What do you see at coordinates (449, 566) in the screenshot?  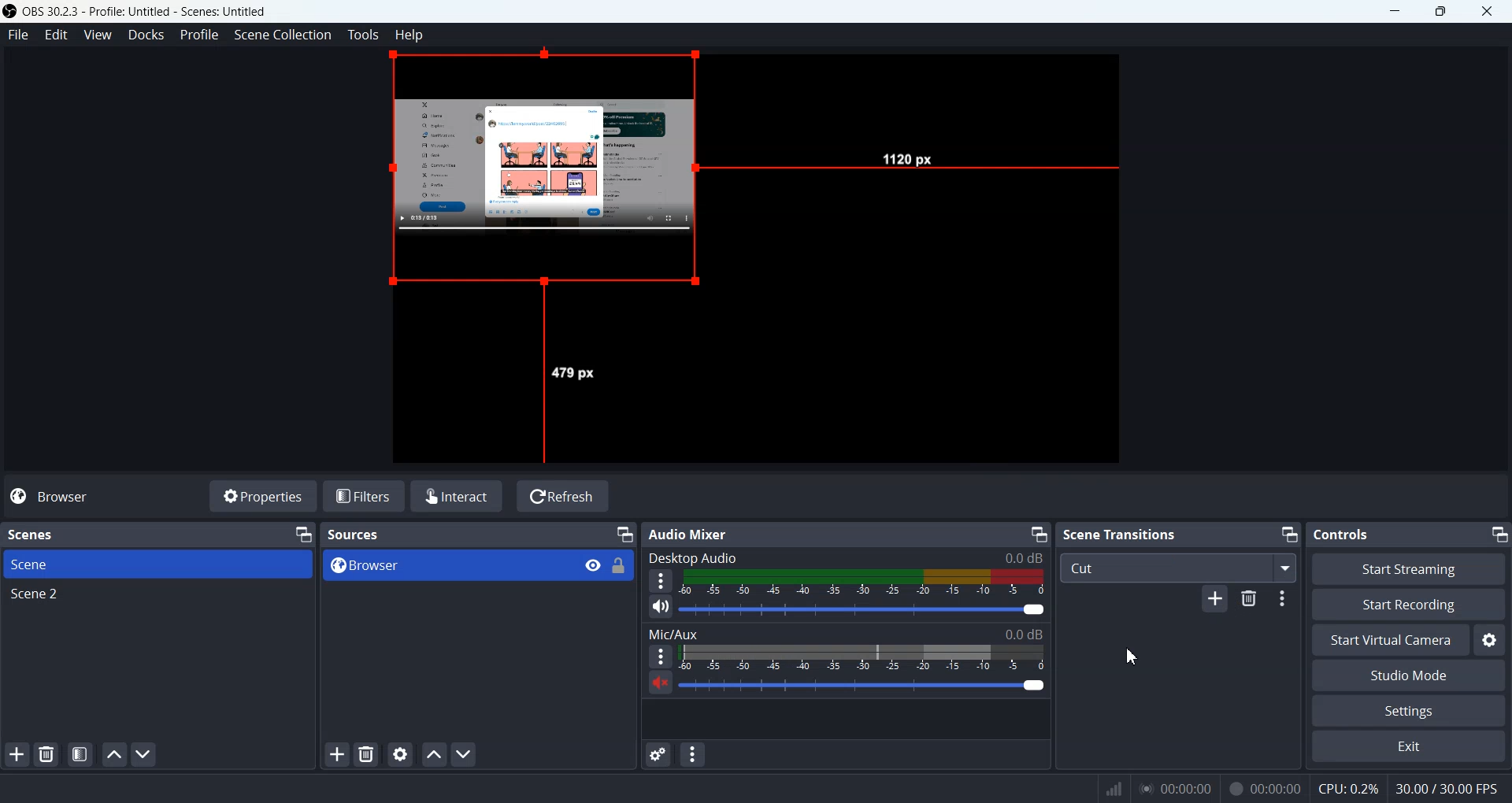 I see `Browser` at bounding box center [449, 566].